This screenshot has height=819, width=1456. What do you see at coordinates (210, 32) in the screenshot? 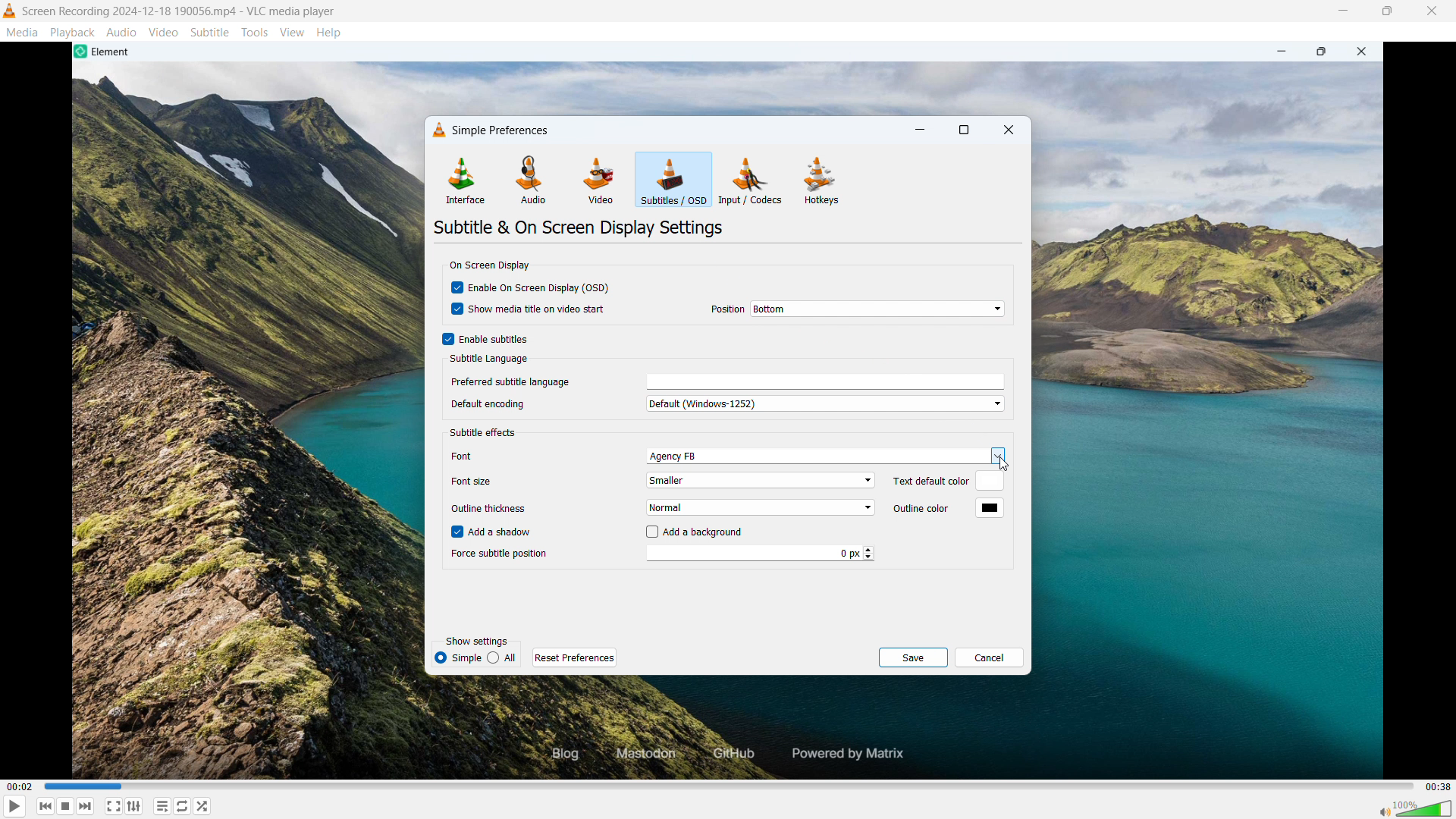
I see `subtitle` at bounding box center [210, 32].